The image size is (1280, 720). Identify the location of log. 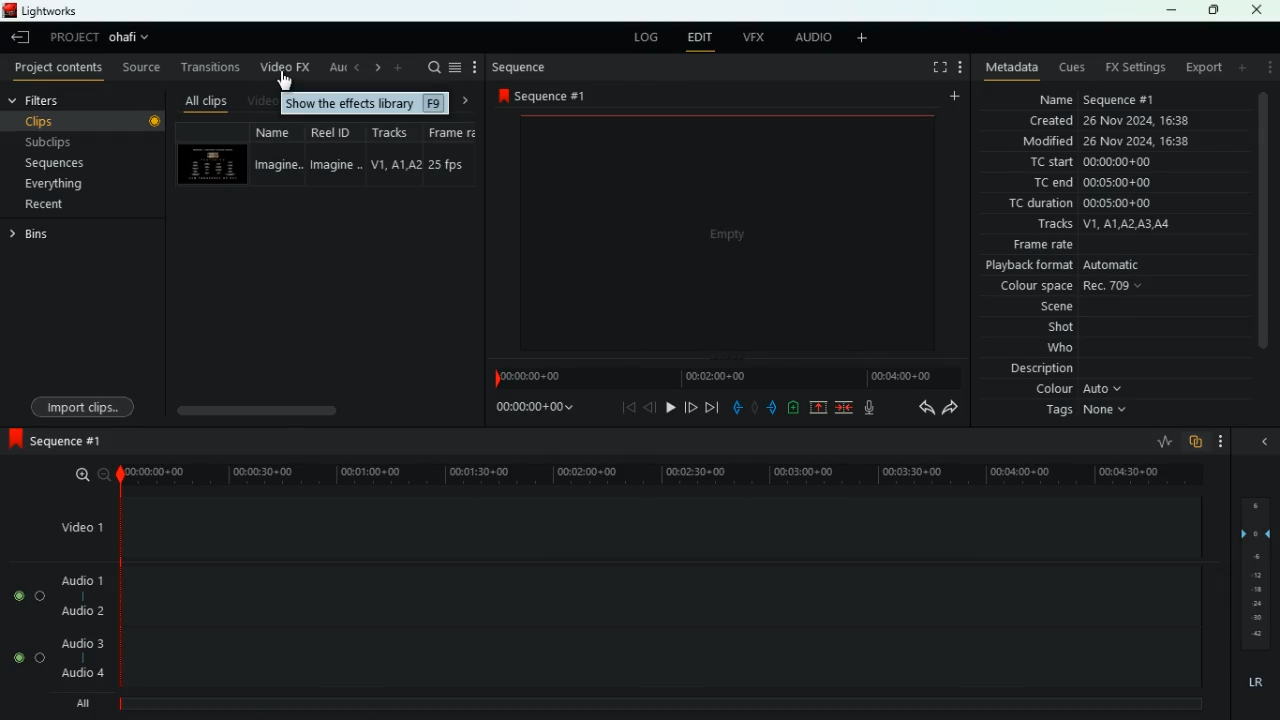
(646, 36).